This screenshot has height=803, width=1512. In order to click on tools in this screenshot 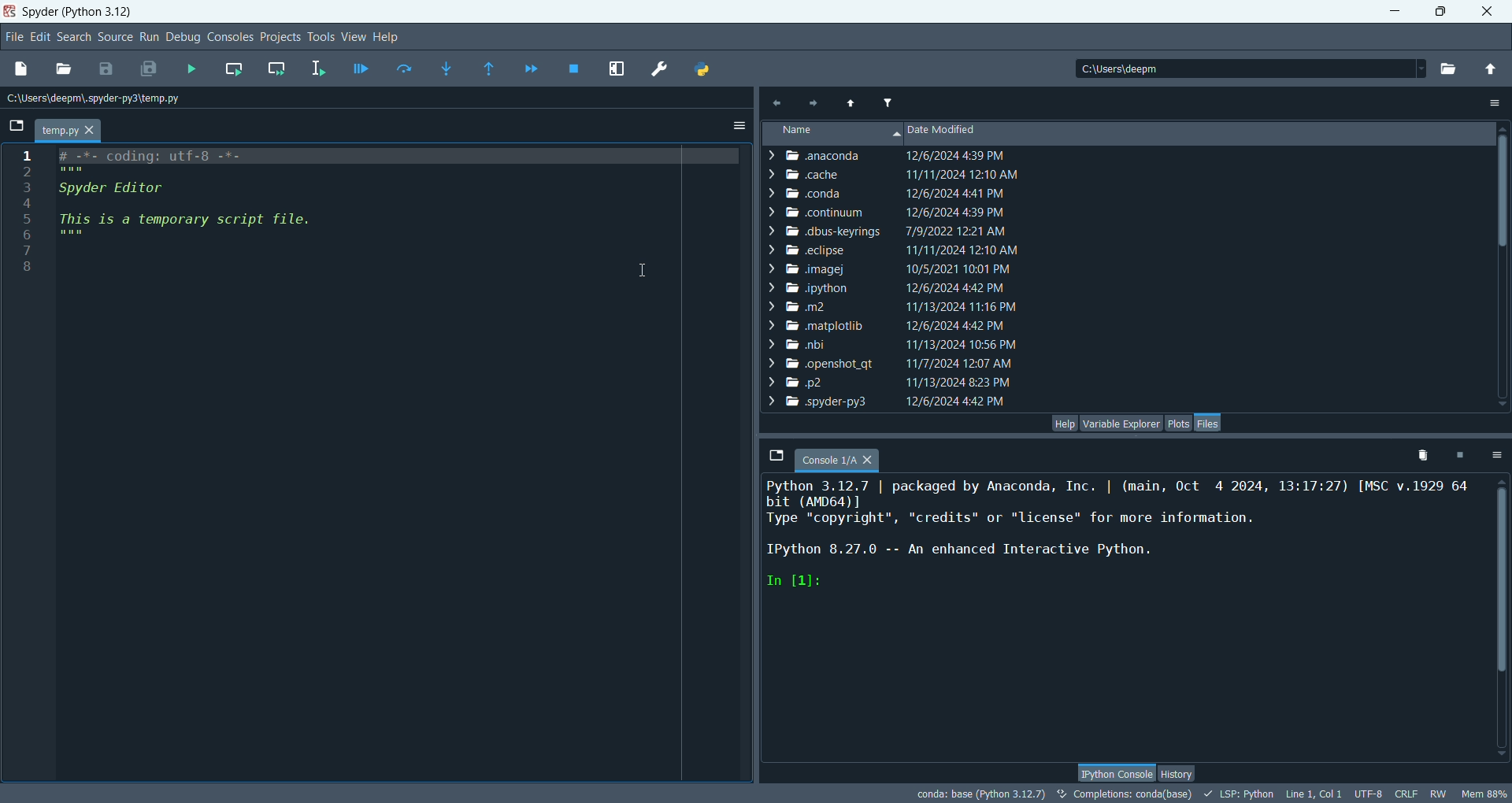, I will do `click(322, 36)`.